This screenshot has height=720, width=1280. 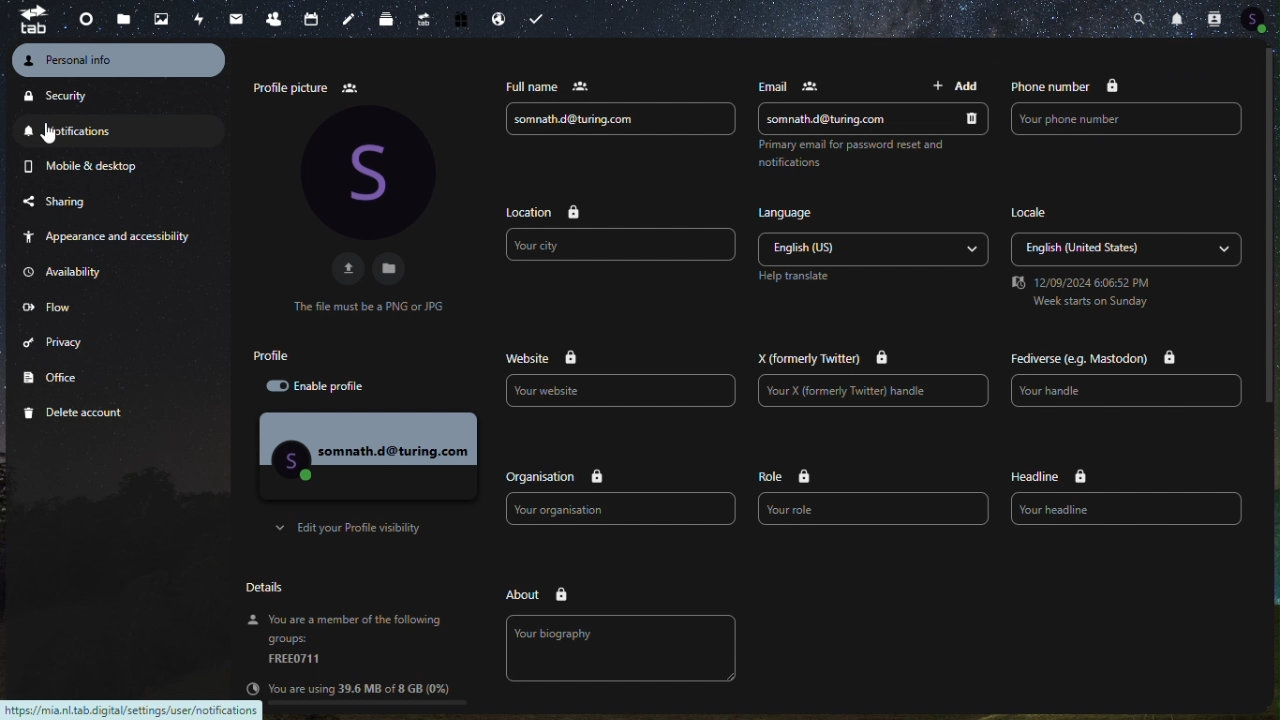 I want to click on availability, so click(x=82, y=272).